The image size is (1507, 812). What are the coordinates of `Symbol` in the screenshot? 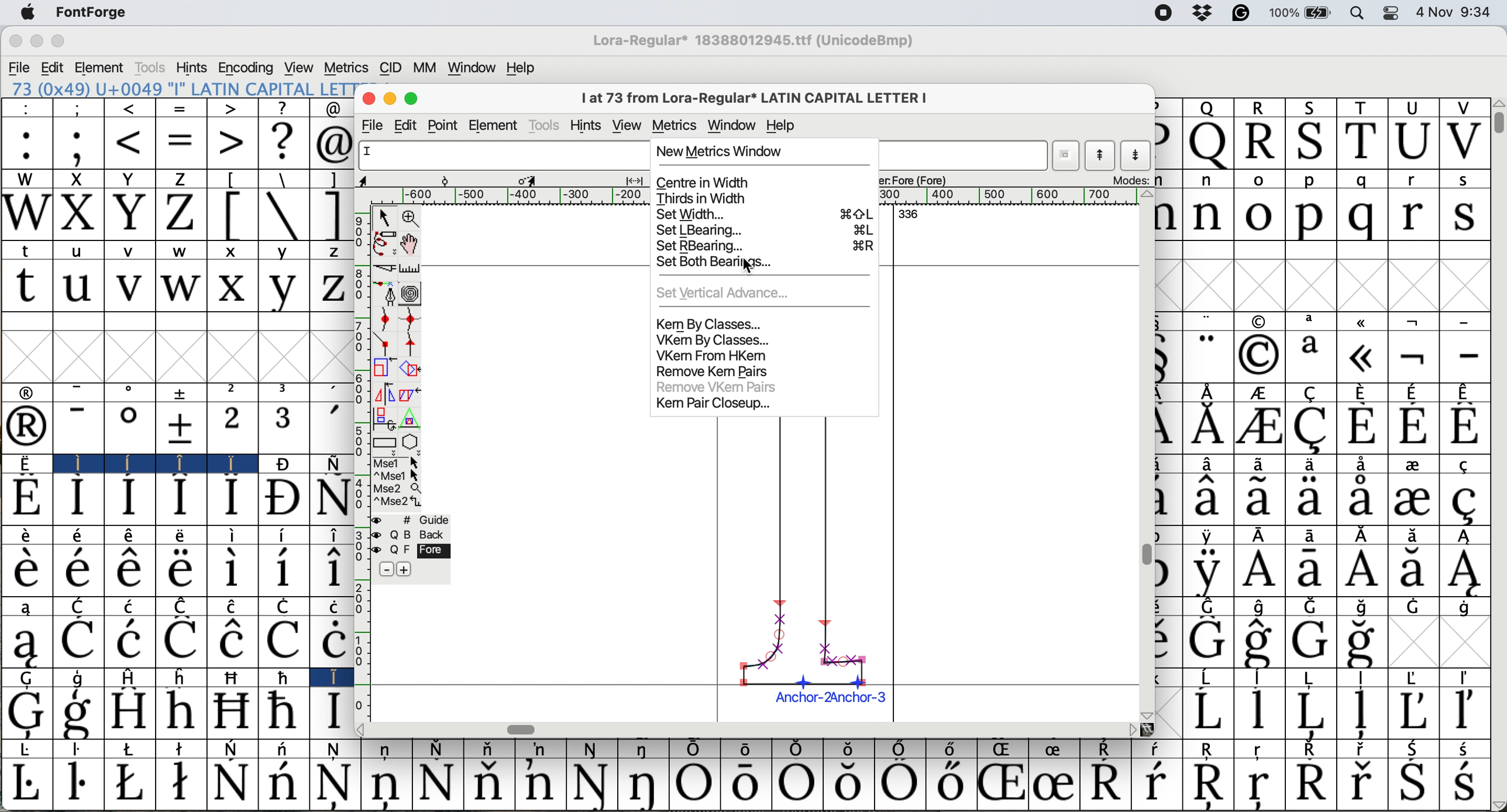 It's located at (1360, 426).